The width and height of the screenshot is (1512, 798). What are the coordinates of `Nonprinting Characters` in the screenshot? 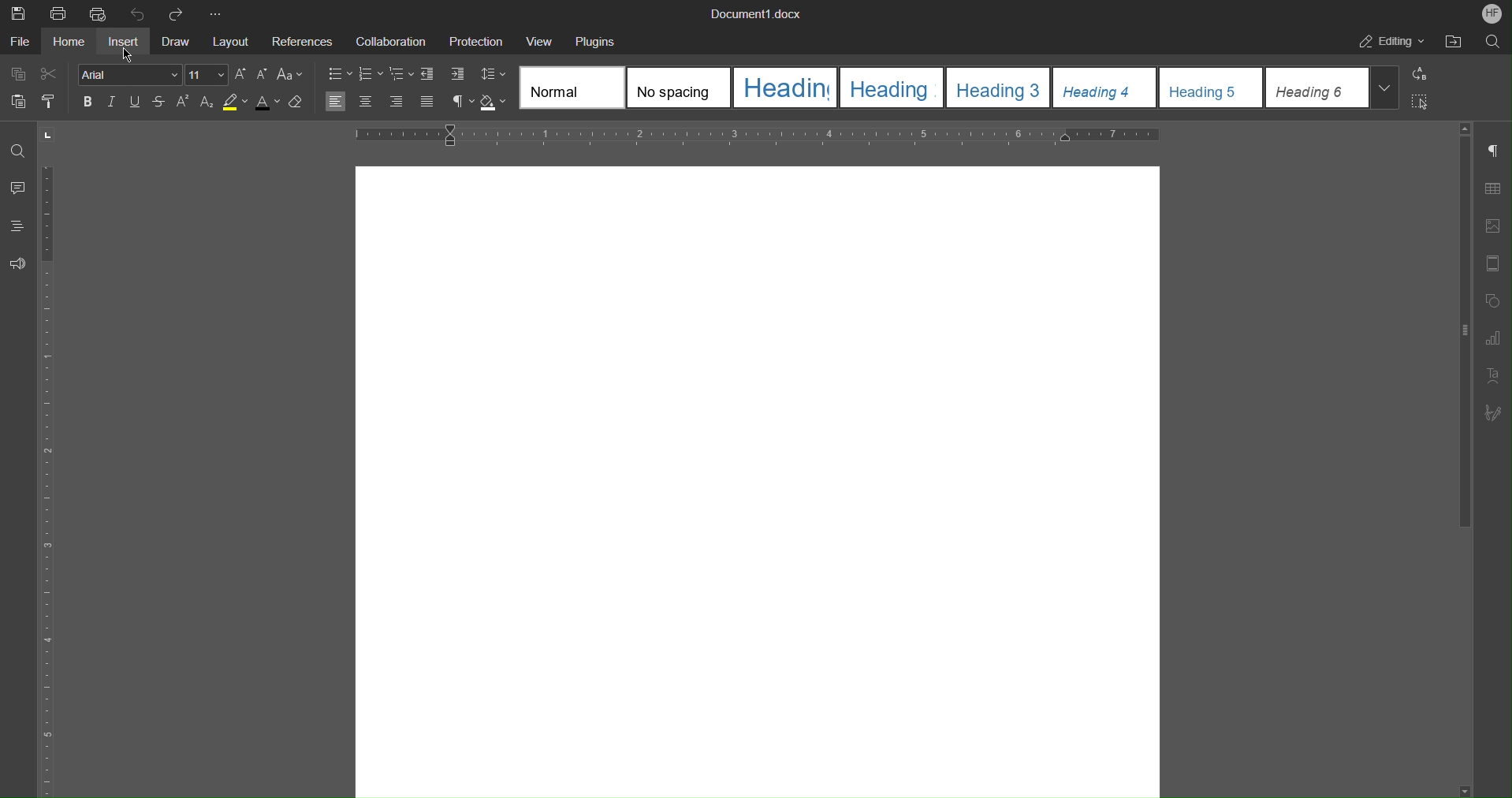 It's located at (461, 102).